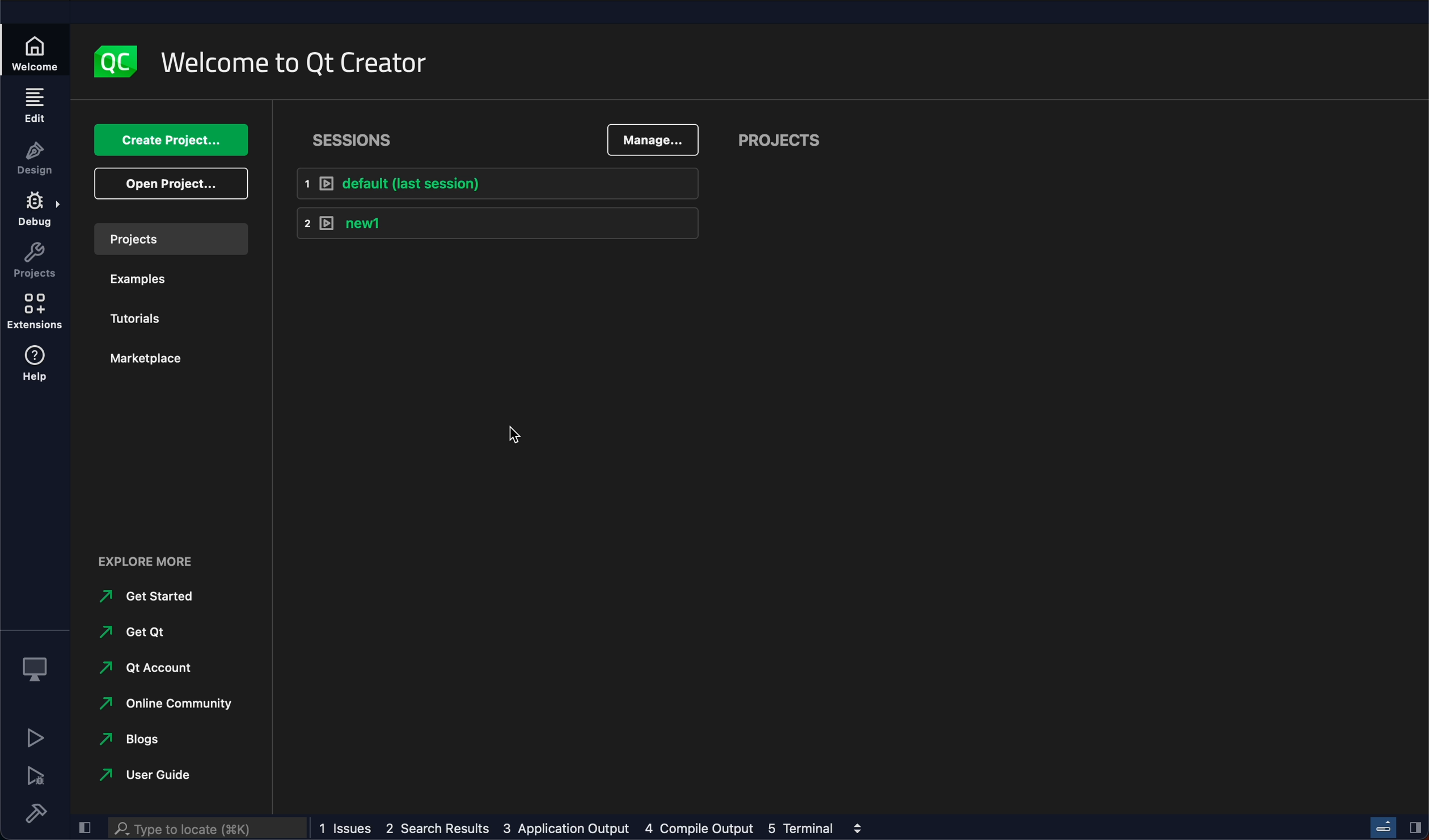  What do you see at coordinates (491, 186) in the screenshot?
I see `default` at bounding box center [491, 186].